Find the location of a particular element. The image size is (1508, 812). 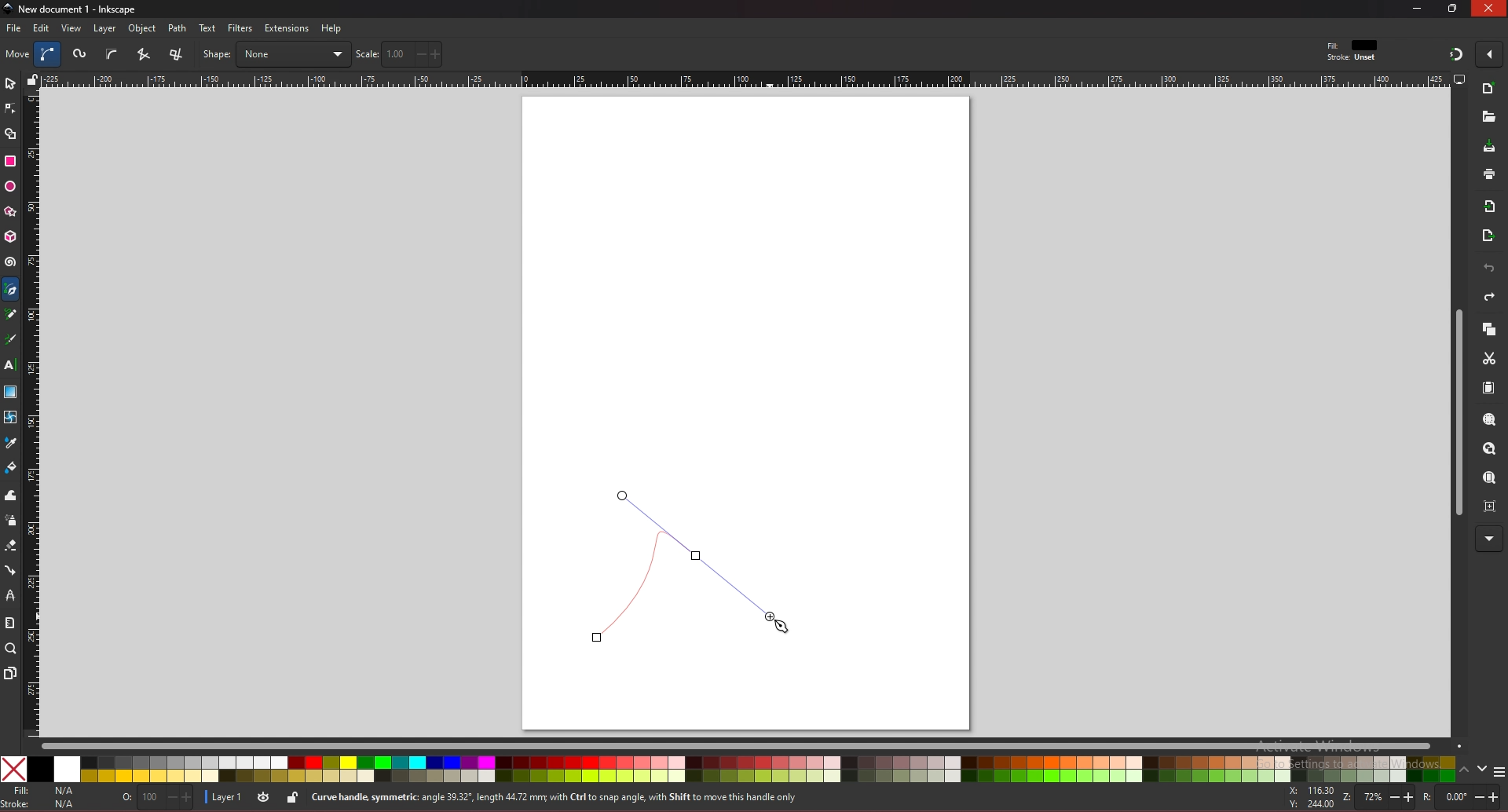

pen is located at coordinates (13, 290).